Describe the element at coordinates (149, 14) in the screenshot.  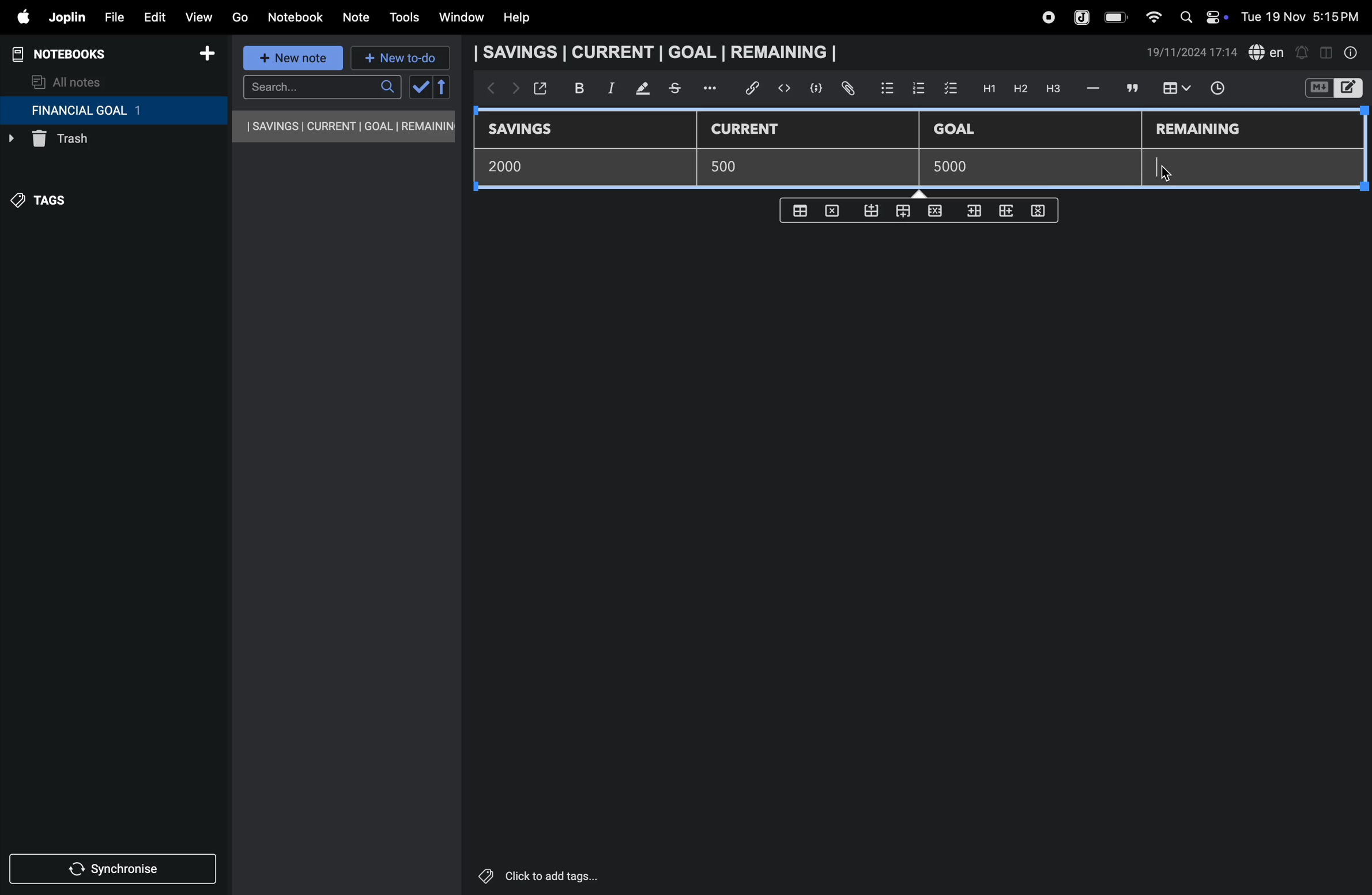
I see `edit` at that location.